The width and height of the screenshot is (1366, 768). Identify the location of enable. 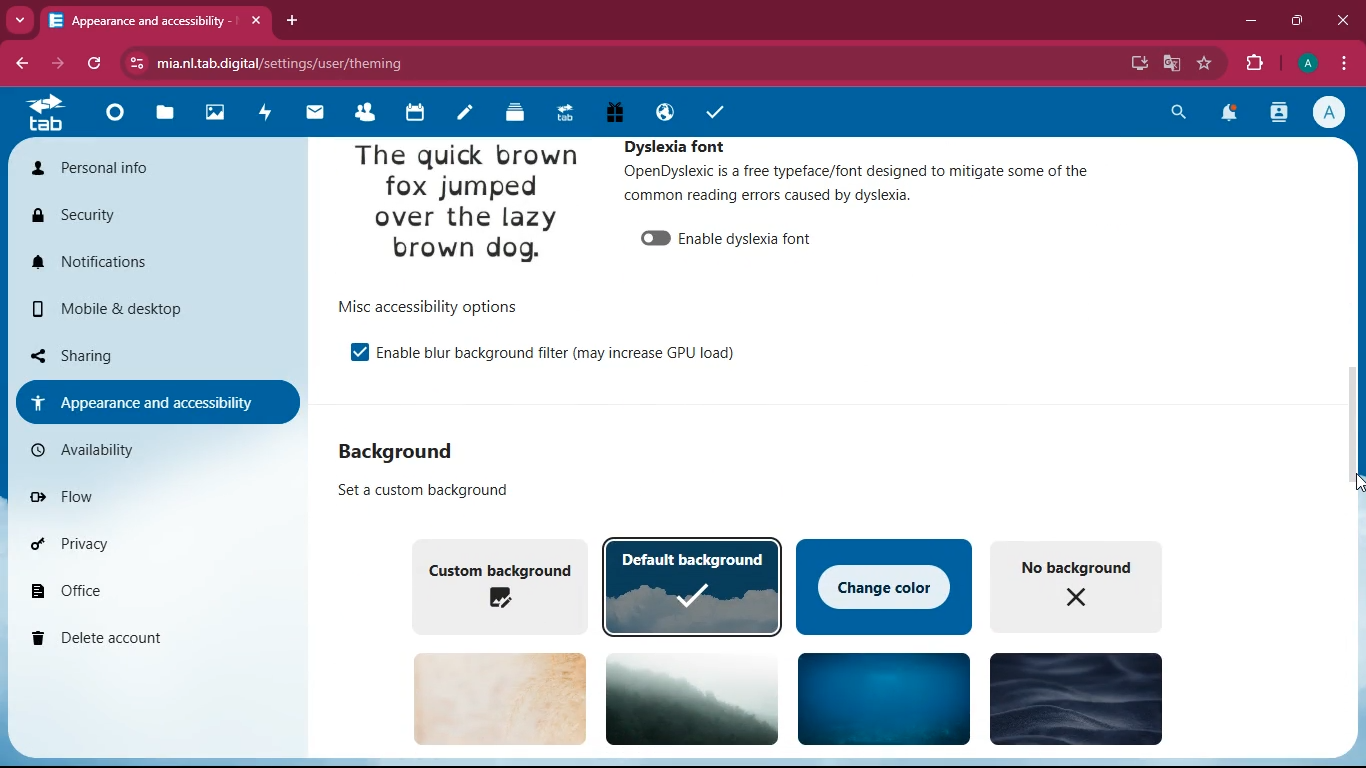
(359, 353).